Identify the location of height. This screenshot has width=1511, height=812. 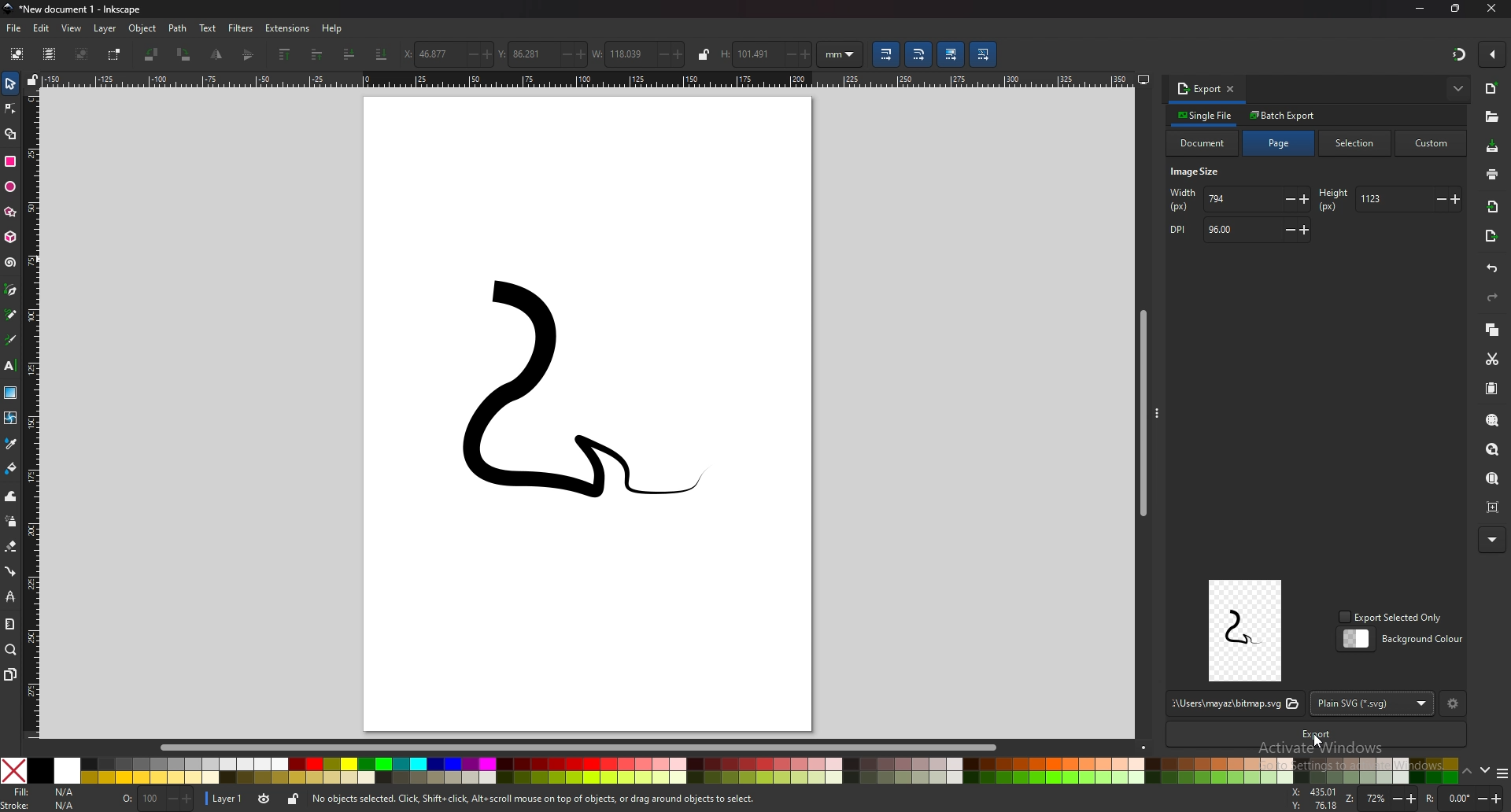
(1388, 199).